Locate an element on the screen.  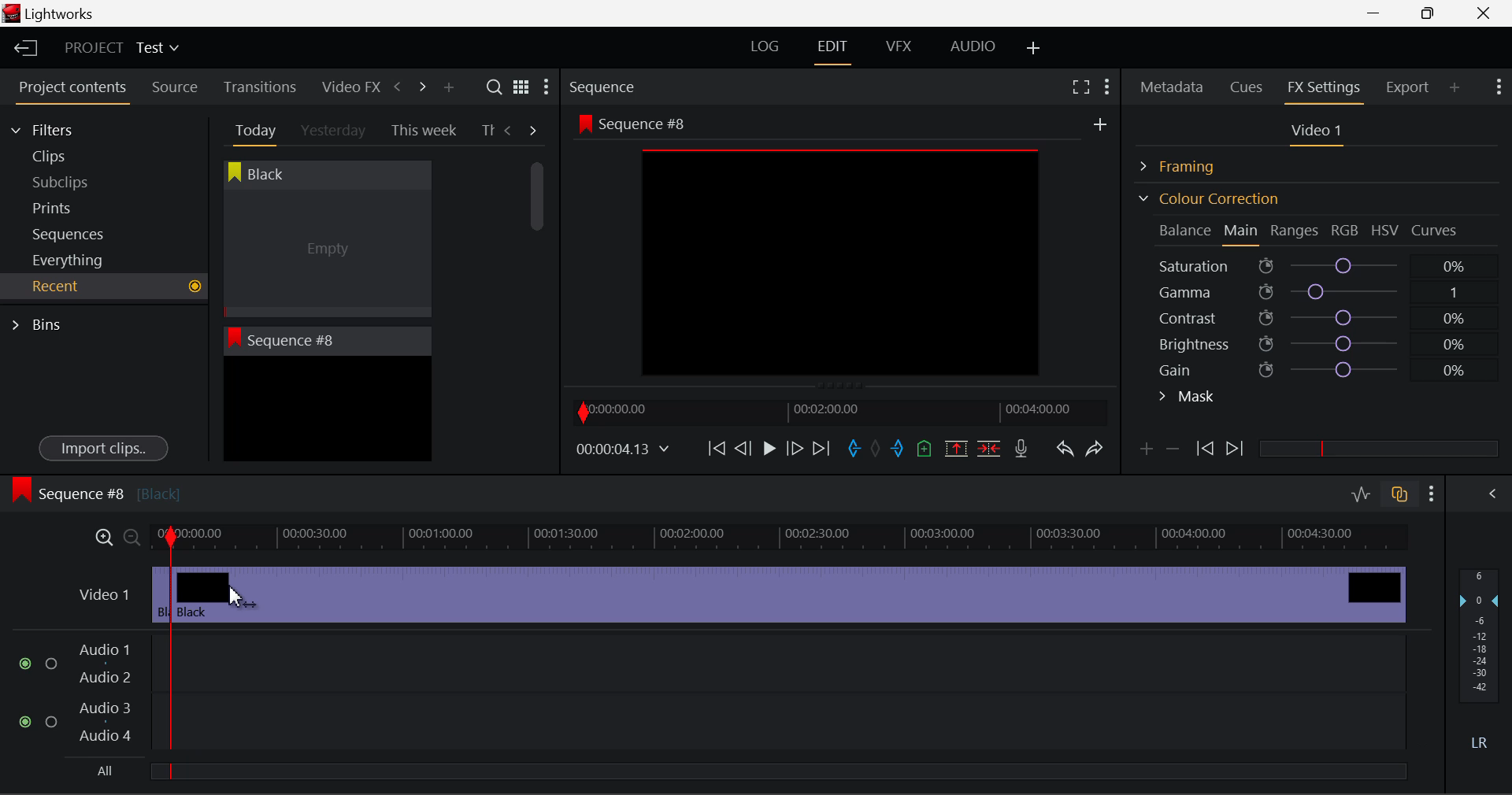
Toggle audio editing levels is located at coordinates (1362, 492).